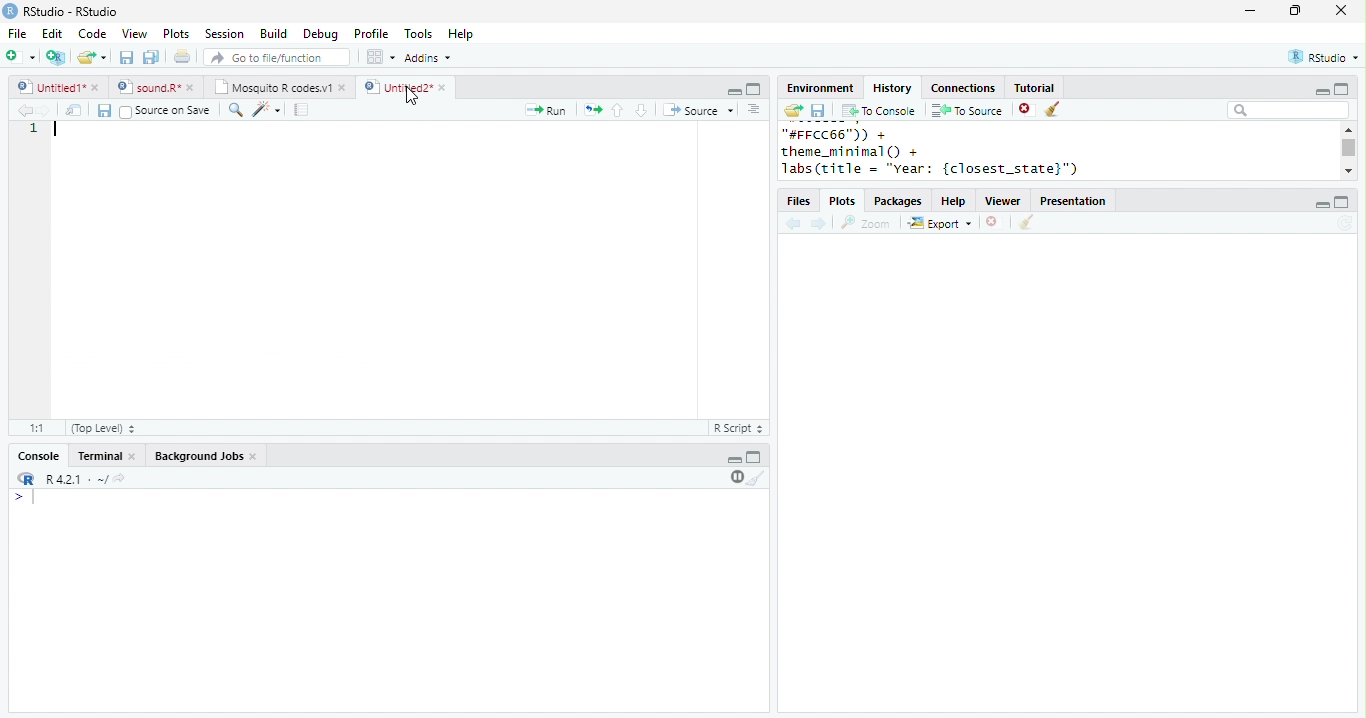  Describe the element at coordinates (941, 224) in the screenshot. I see `Export` at that location.